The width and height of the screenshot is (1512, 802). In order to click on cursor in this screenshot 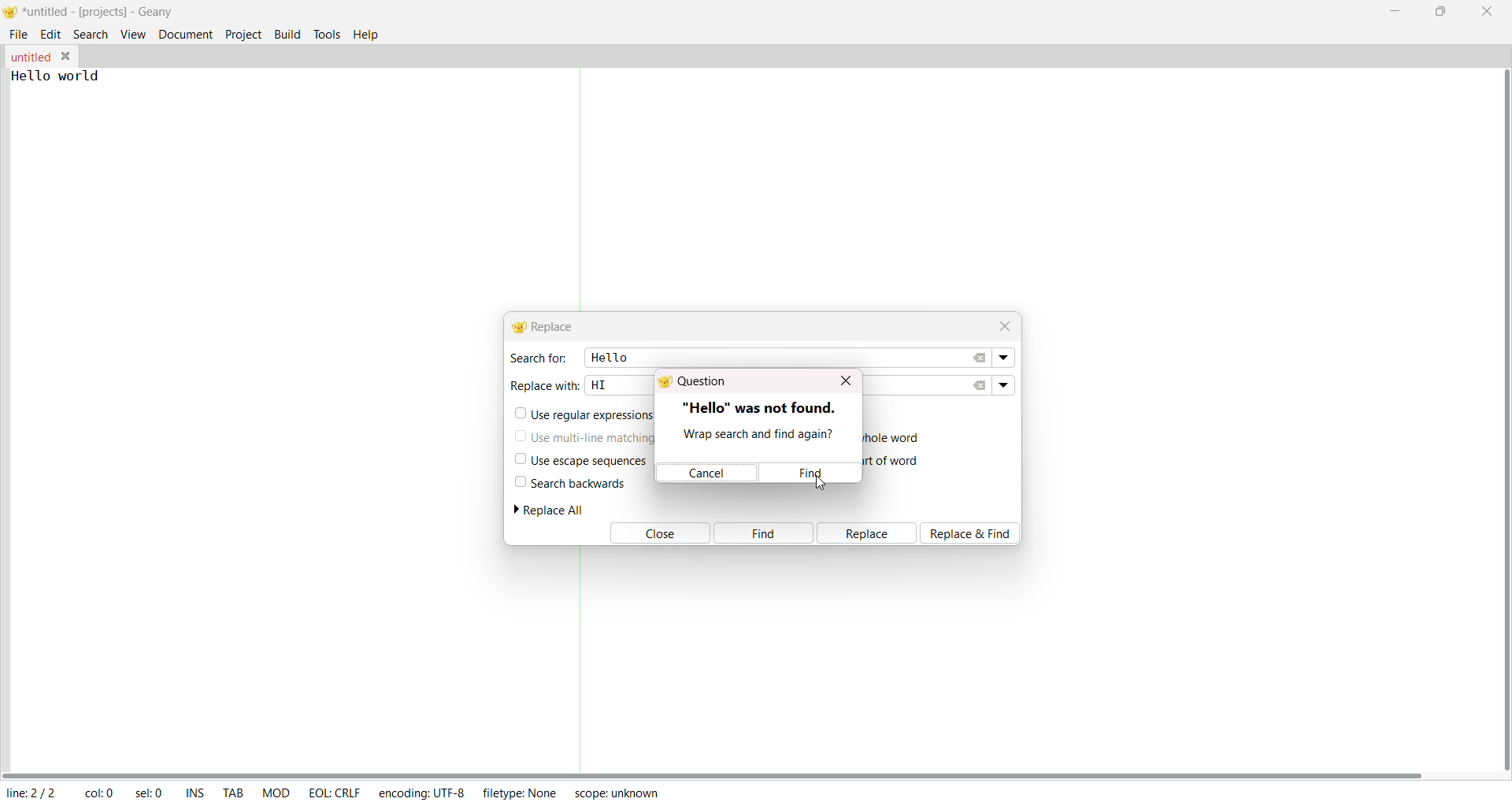, I will do `click(817, 483)`.